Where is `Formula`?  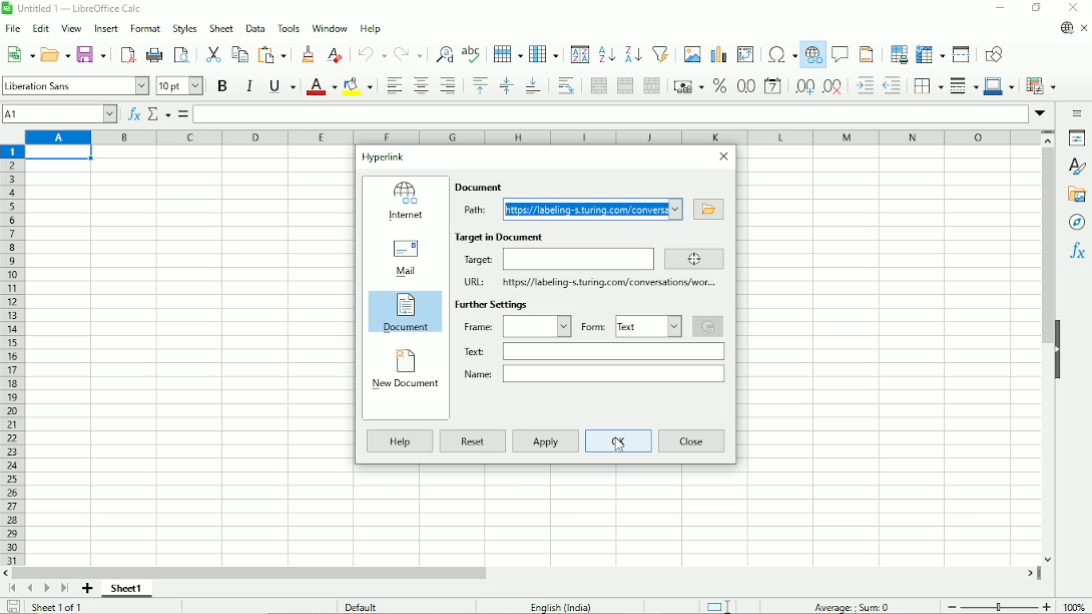
Formula is located at coordinates (183, 113).